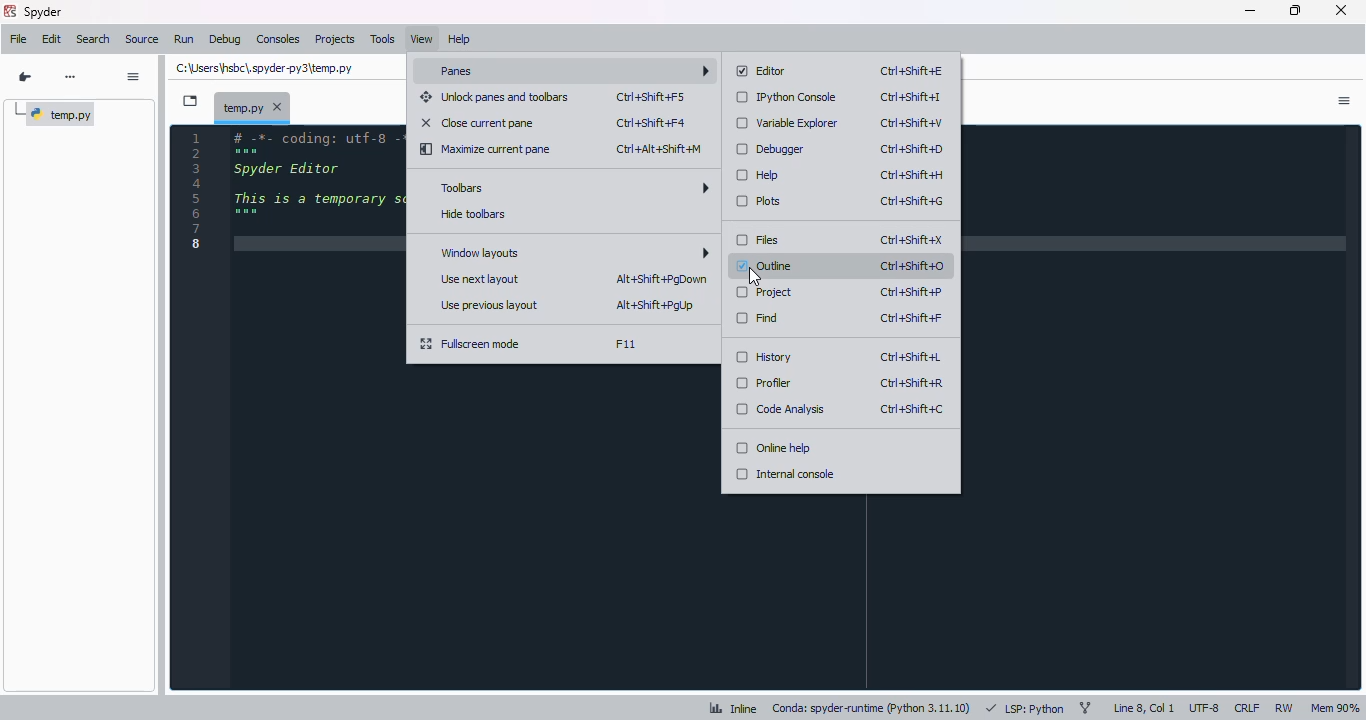 This screenshot has width=1366, height=720. What do you see at coordinates (488, 305) in the screenshot?
I see `use previous layout` at bounding box center [488, 305].